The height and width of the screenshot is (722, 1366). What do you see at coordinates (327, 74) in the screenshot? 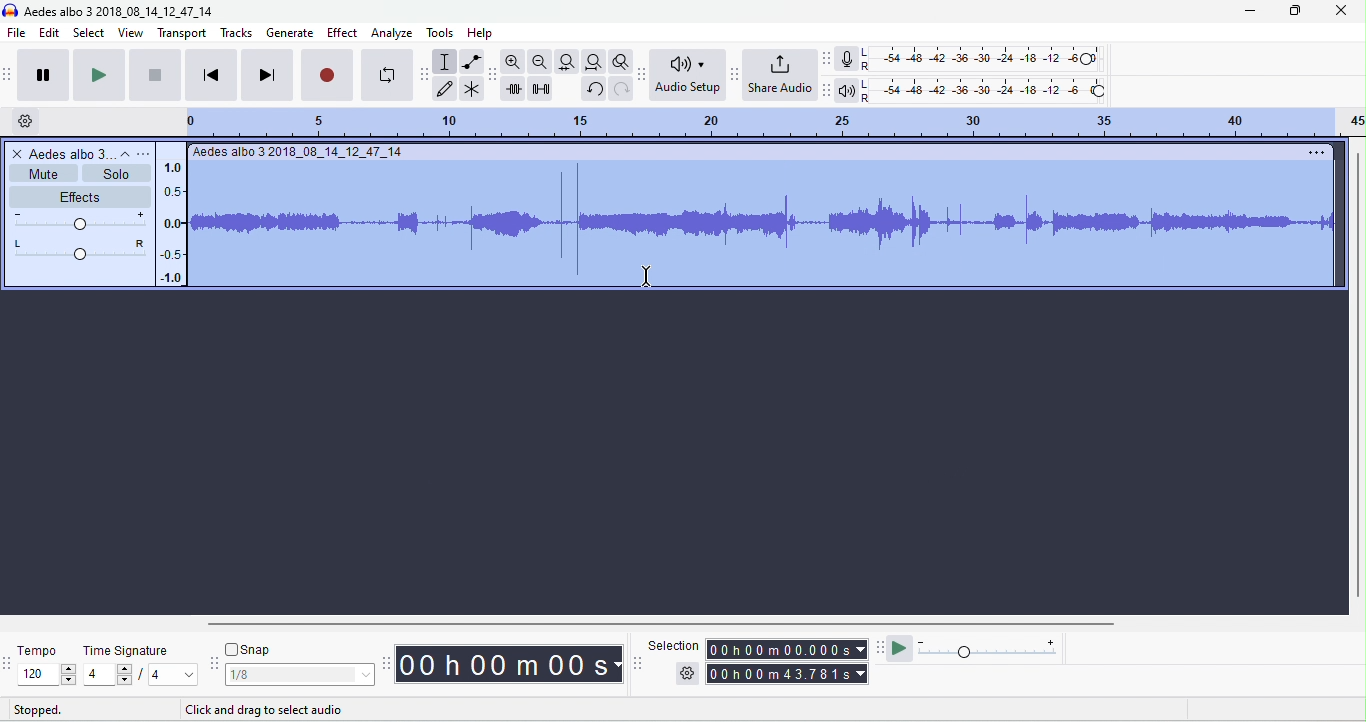
I see `record` at bounding box center [327, 74].